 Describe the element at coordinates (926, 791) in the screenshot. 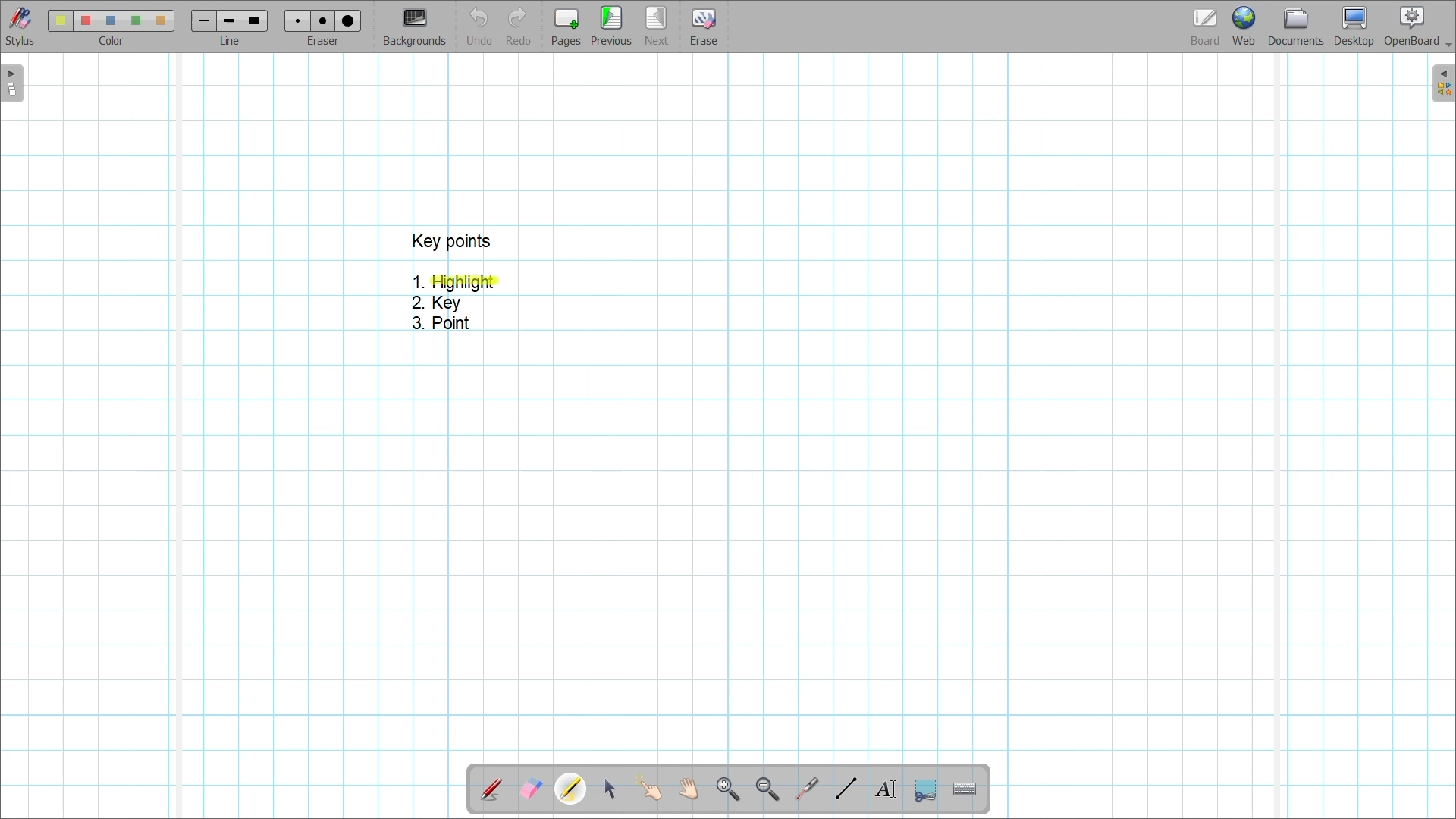

I see `Capture part of the screen` at that location.